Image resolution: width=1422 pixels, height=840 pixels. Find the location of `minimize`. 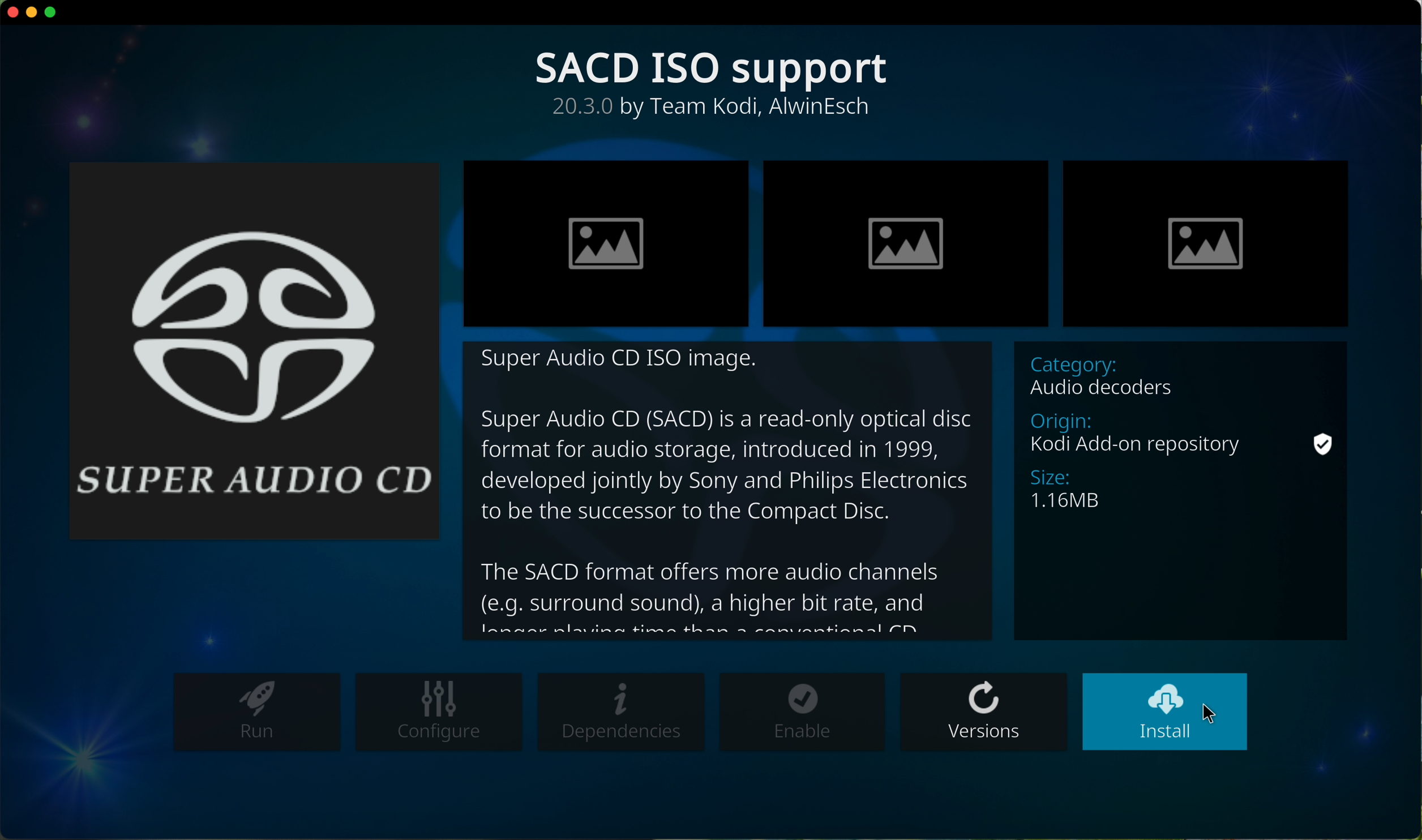

minimize is located at coordinates (33, 12).